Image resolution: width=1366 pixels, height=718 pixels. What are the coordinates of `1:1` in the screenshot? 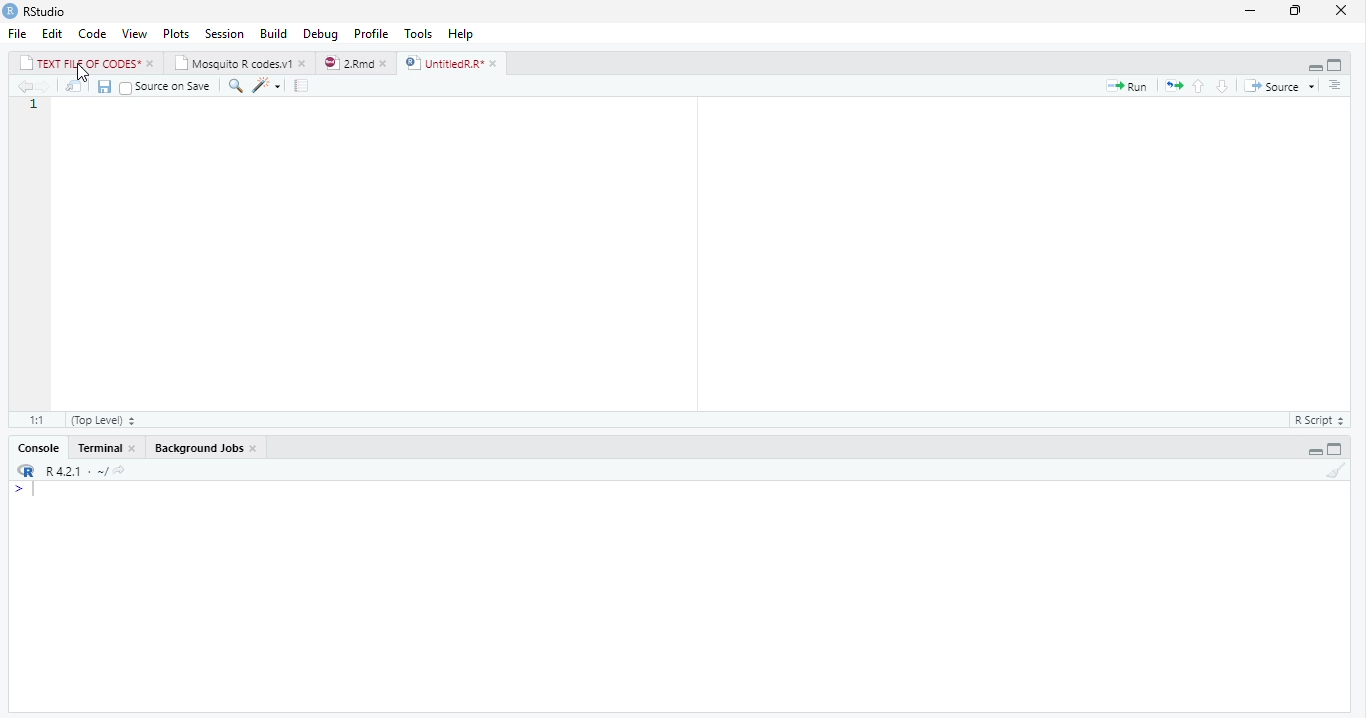 It's located at (35, 420).